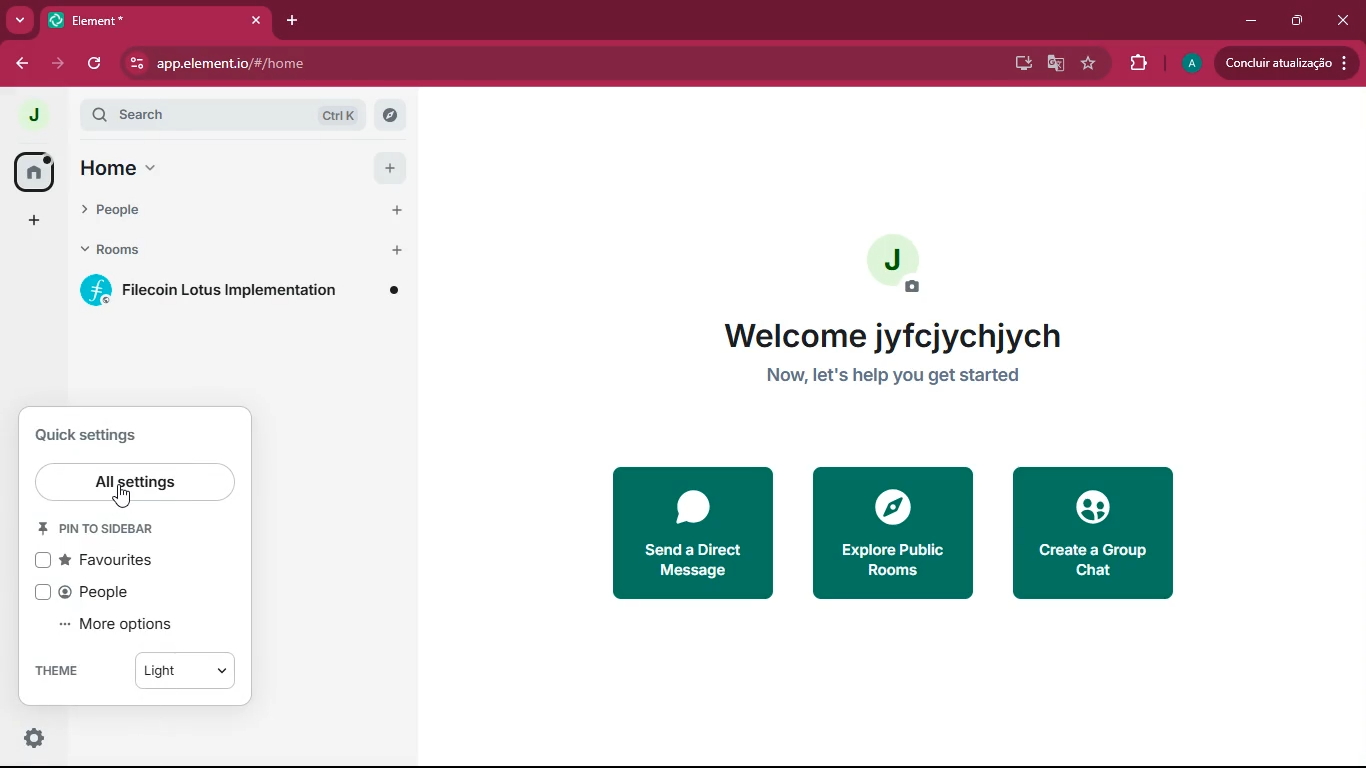 The image size is (1366, 768). Describe the element at coordinates (1190, 64) in the screenshot. I see `profile picture` at that location.